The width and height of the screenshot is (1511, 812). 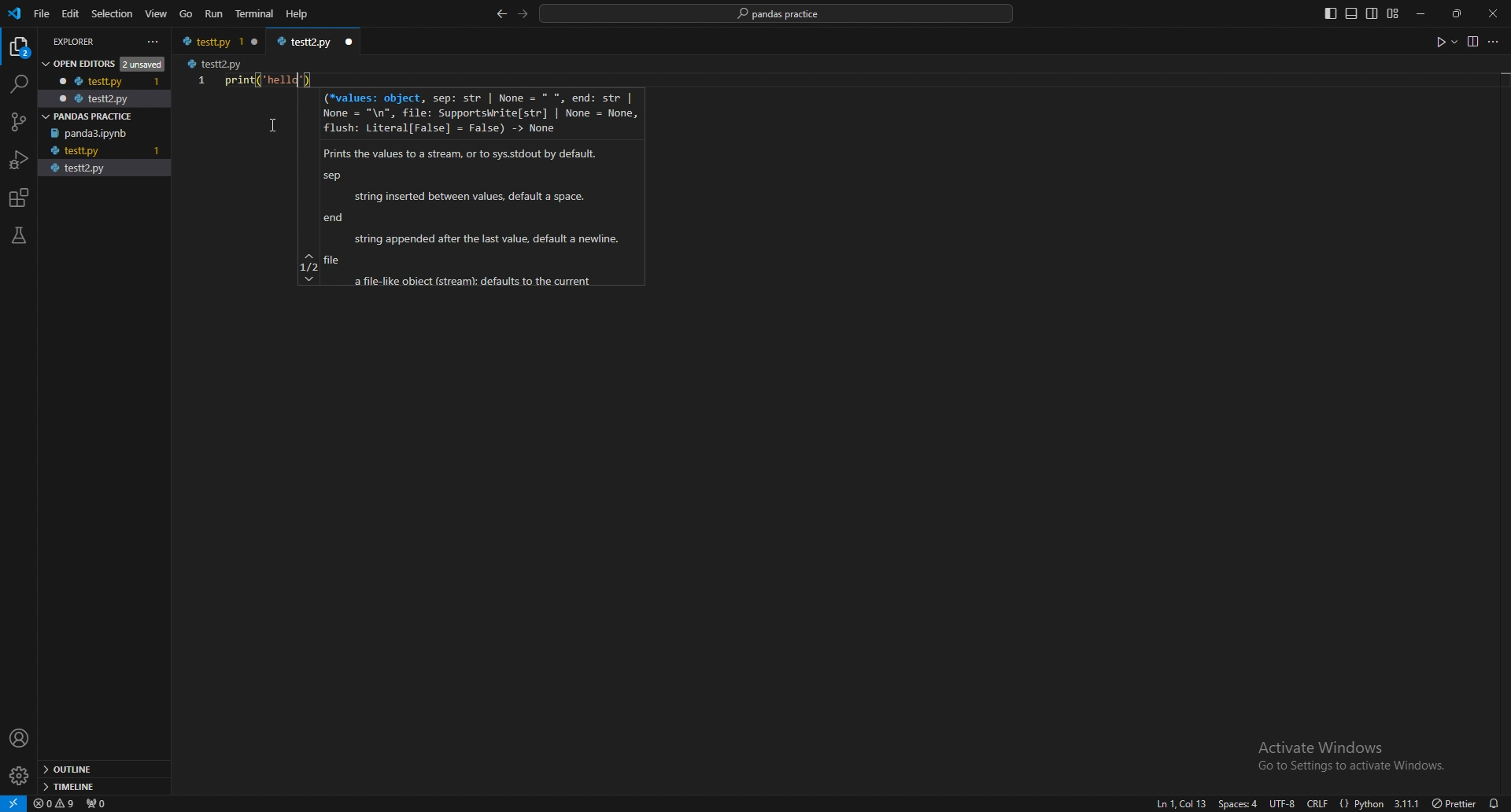 I want to click on minimize, so click(x=1425, y=14).